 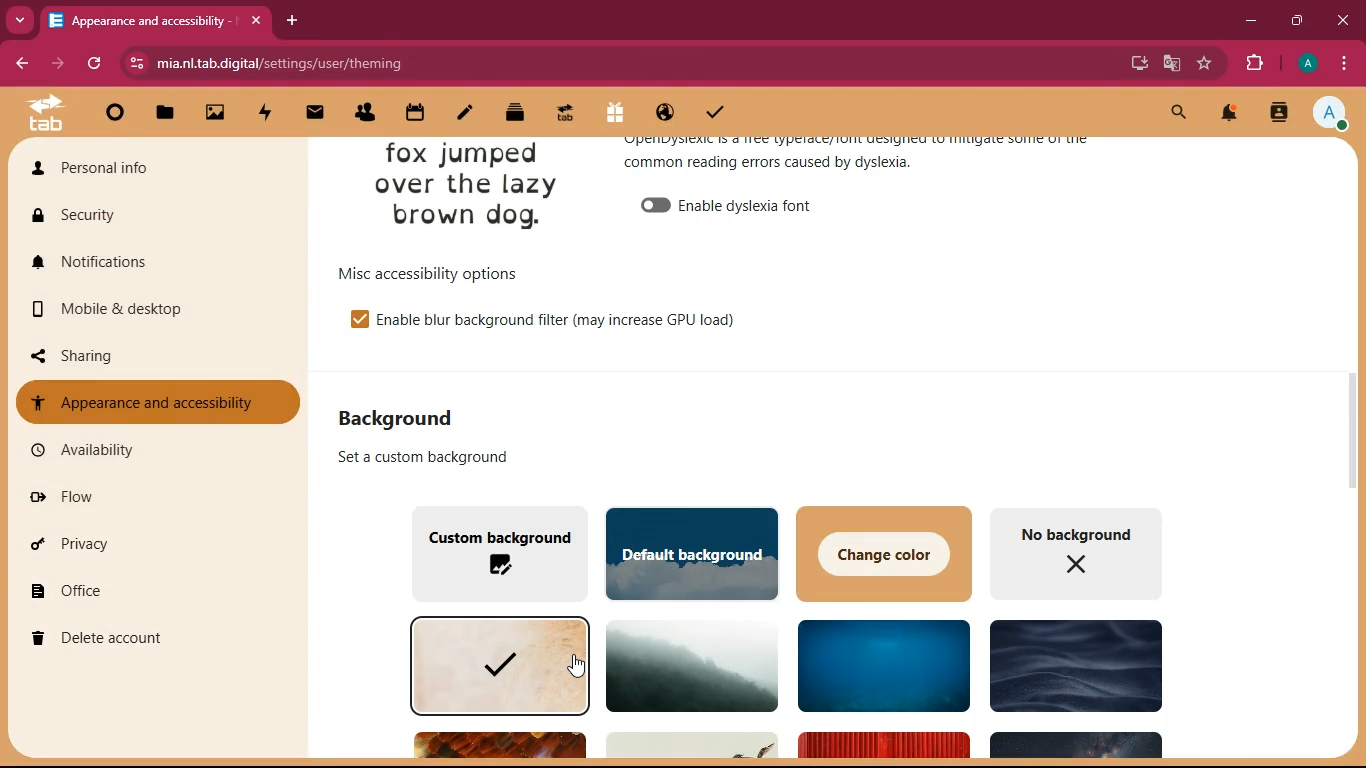 I want to click on notifications, so click(x=1232, y=114).